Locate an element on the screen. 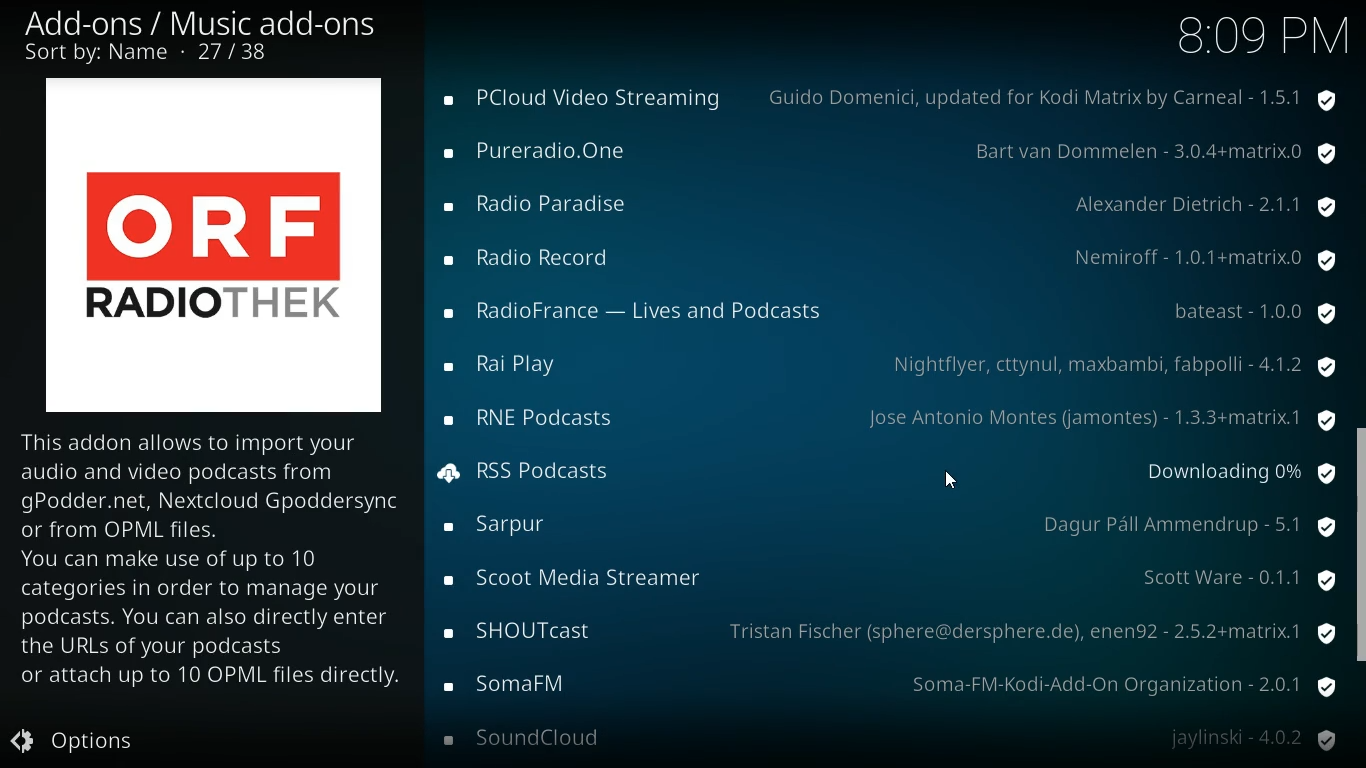 This screenshot has width=1366, height=768. Time - 8:08PM is located at coordinates (1260, 35).